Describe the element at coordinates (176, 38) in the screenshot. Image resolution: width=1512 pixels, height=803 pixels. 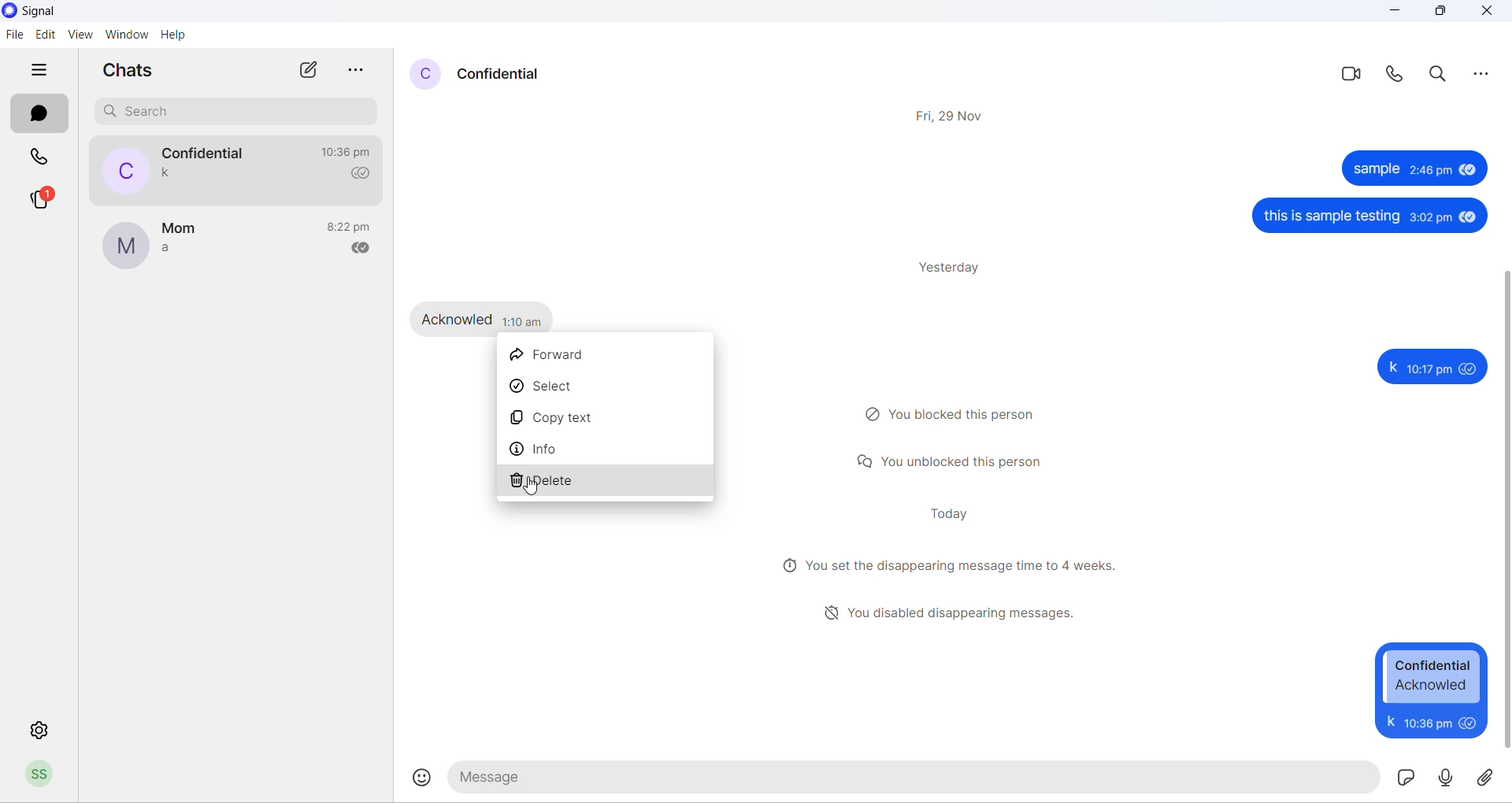
I see `help` at that location.